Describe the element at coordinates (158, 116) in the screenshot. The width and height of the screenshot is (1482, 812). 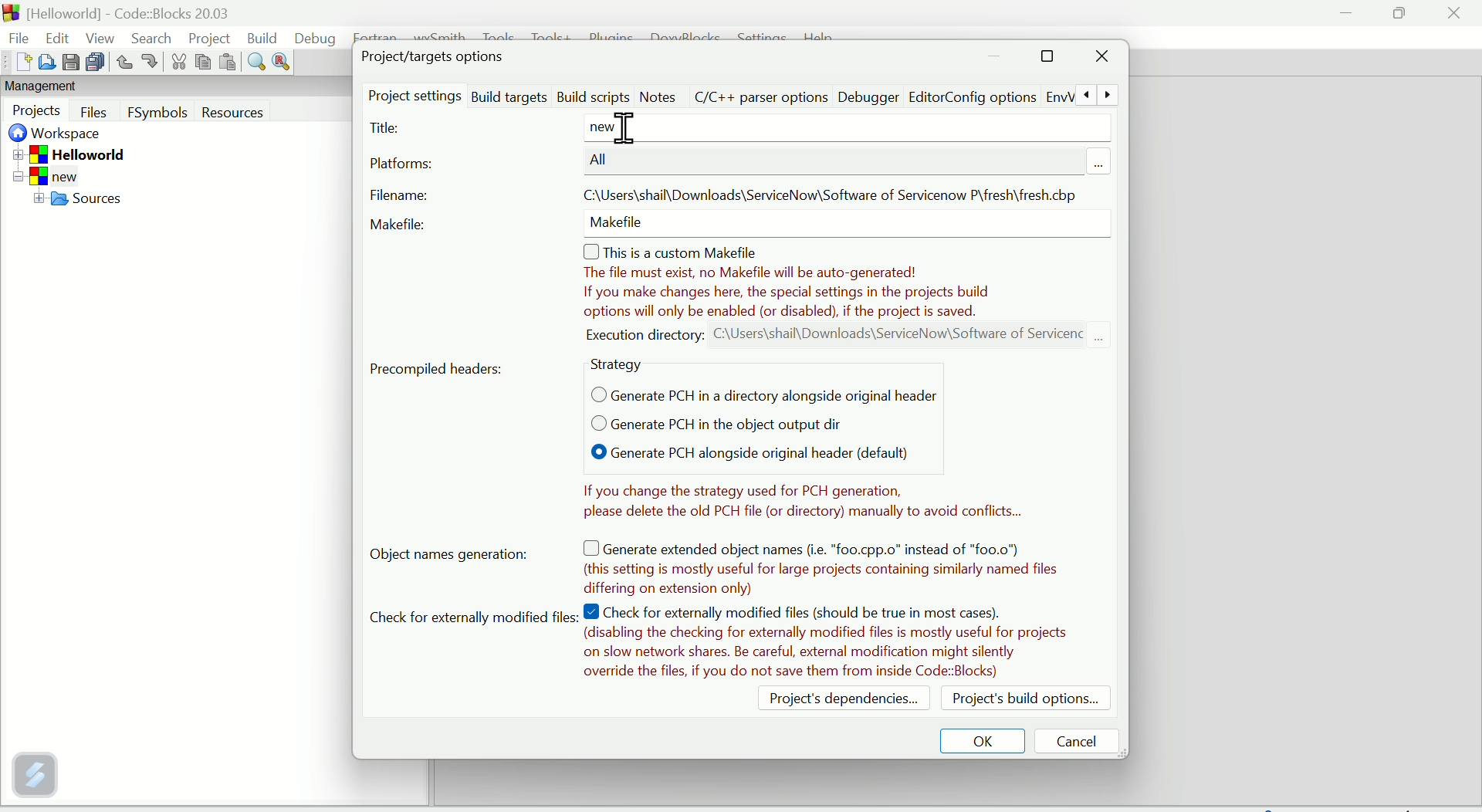
I see `F symbols` at that location.